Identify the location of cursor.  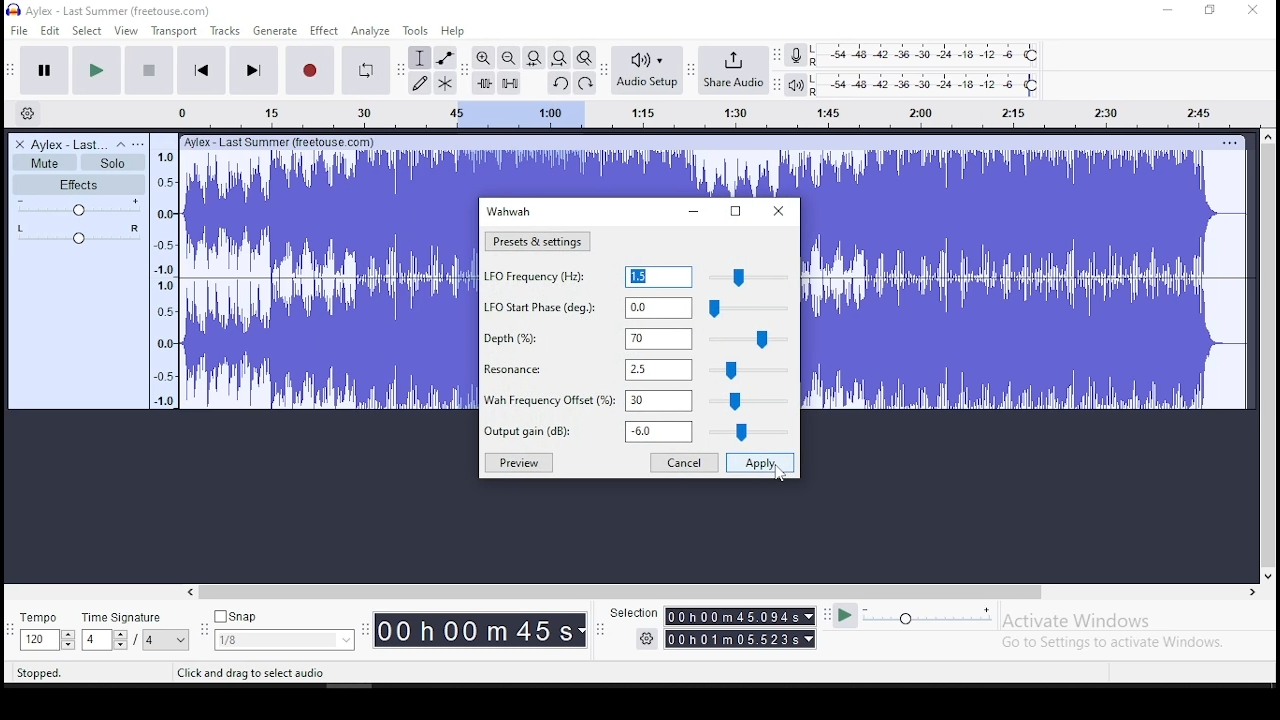
(783, 474).